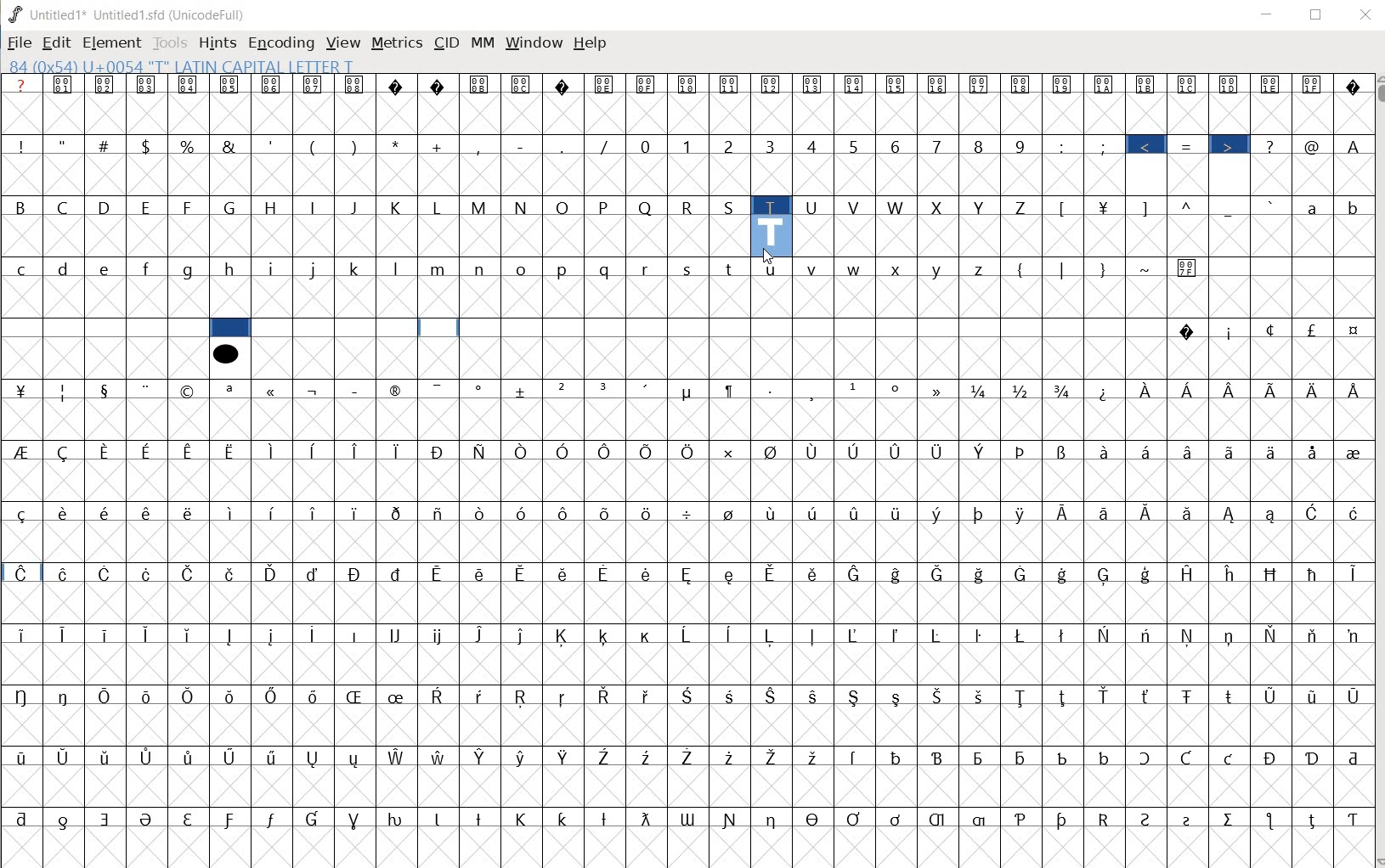  I want to click on -, so click(521, 145).